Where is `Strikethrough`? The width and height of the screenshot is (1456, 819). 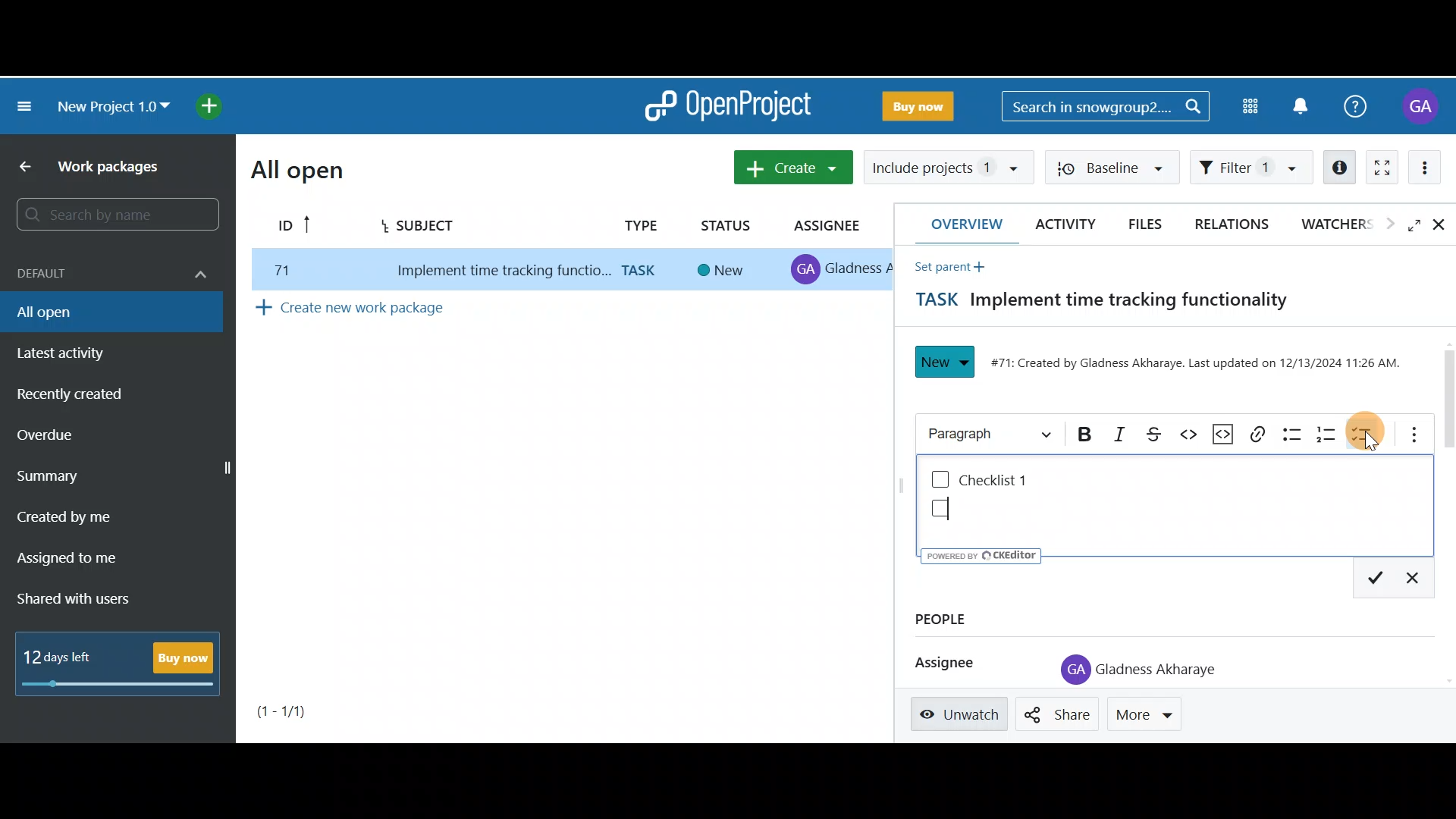 Strikethrough is located at coordinates (1160, 434).